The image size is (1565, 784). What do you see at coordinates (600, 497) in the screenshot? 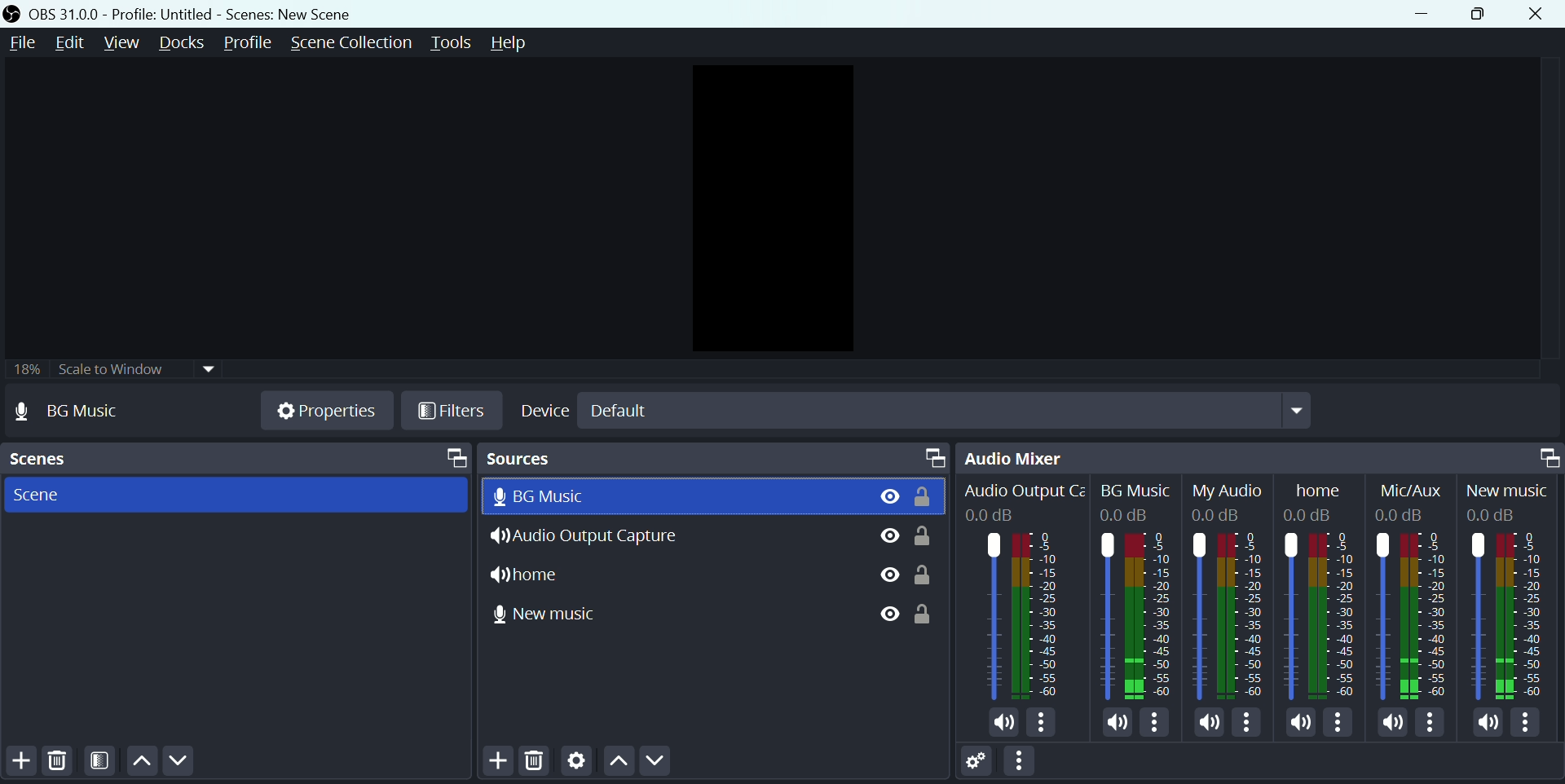
I see `BG Music` at bounding box center [600, 497].